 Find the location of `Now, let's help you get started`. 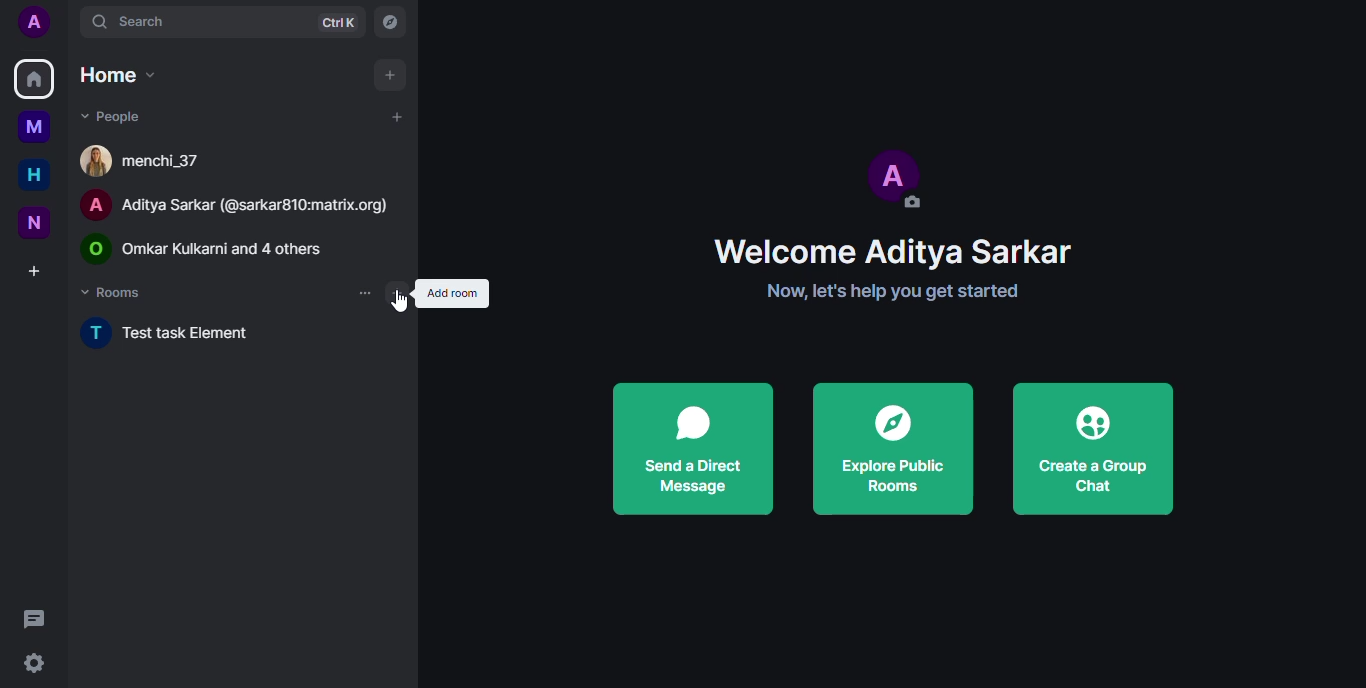

Now, let's help you get started is located at coordinates (849, 292).